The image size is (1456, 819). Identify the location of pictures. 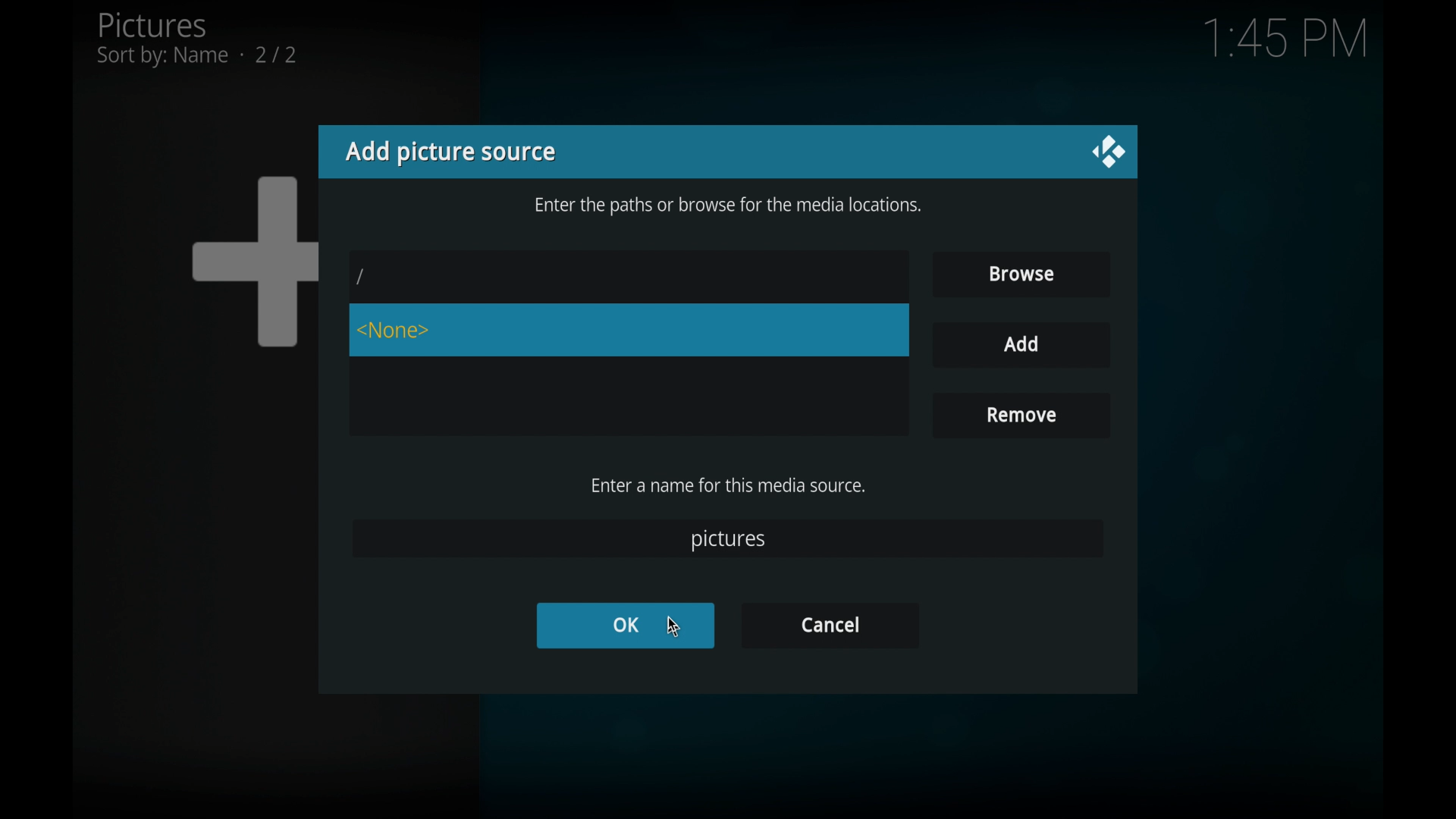
(727, 540).